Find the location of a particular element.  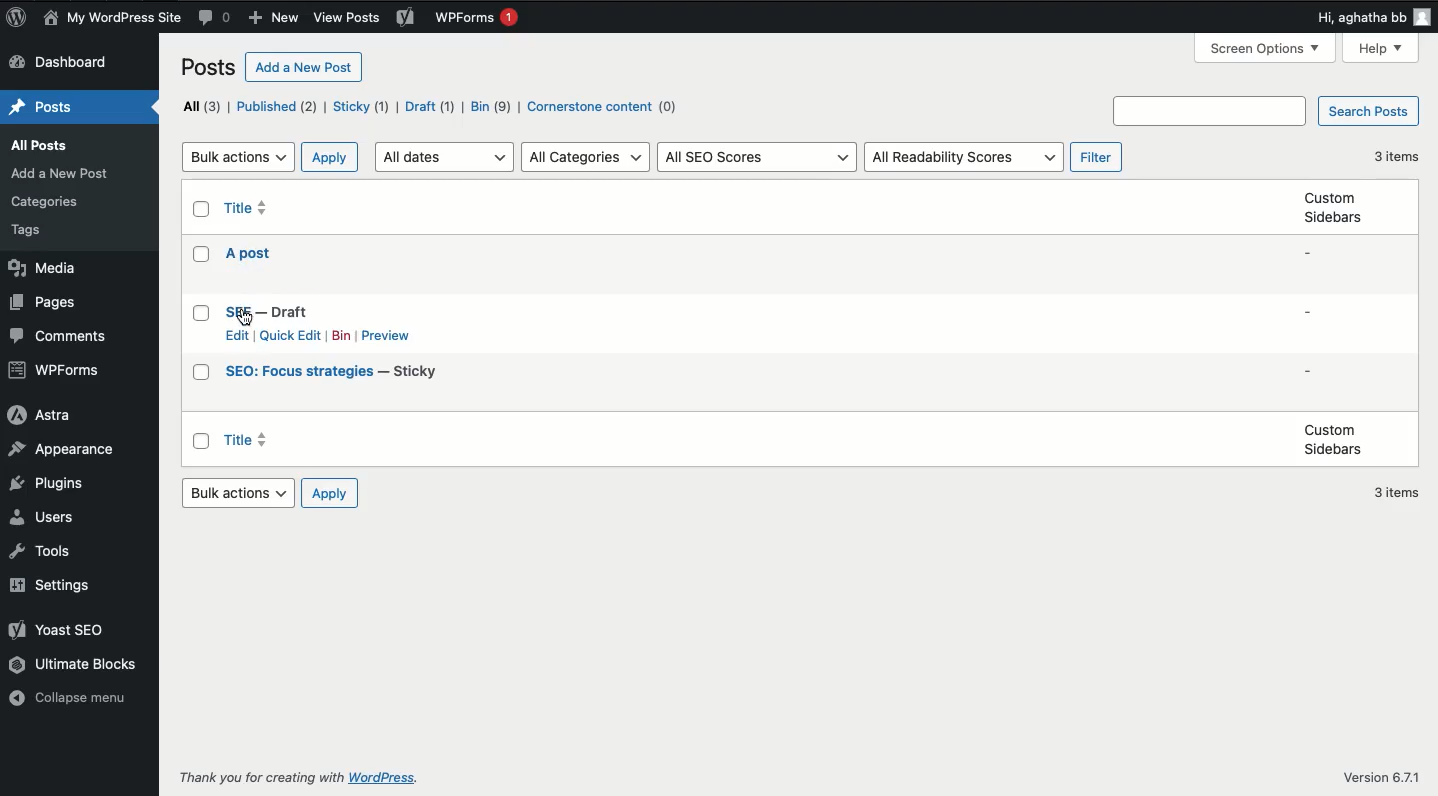

Checkbox is located at coordinates (197, 372).